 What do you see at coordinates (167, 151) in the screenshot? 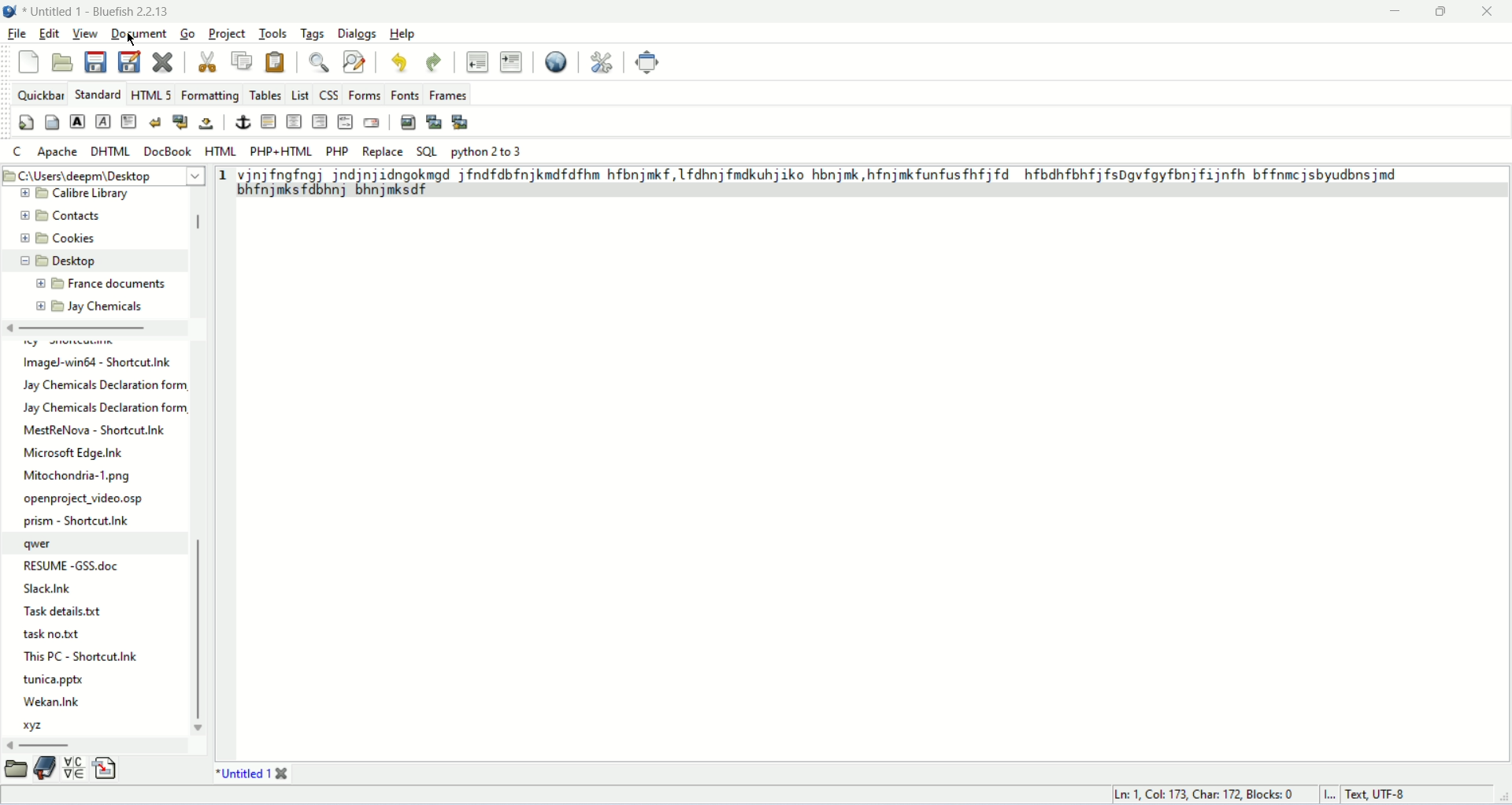
I see `docbook` at bounding box center [167, 151].